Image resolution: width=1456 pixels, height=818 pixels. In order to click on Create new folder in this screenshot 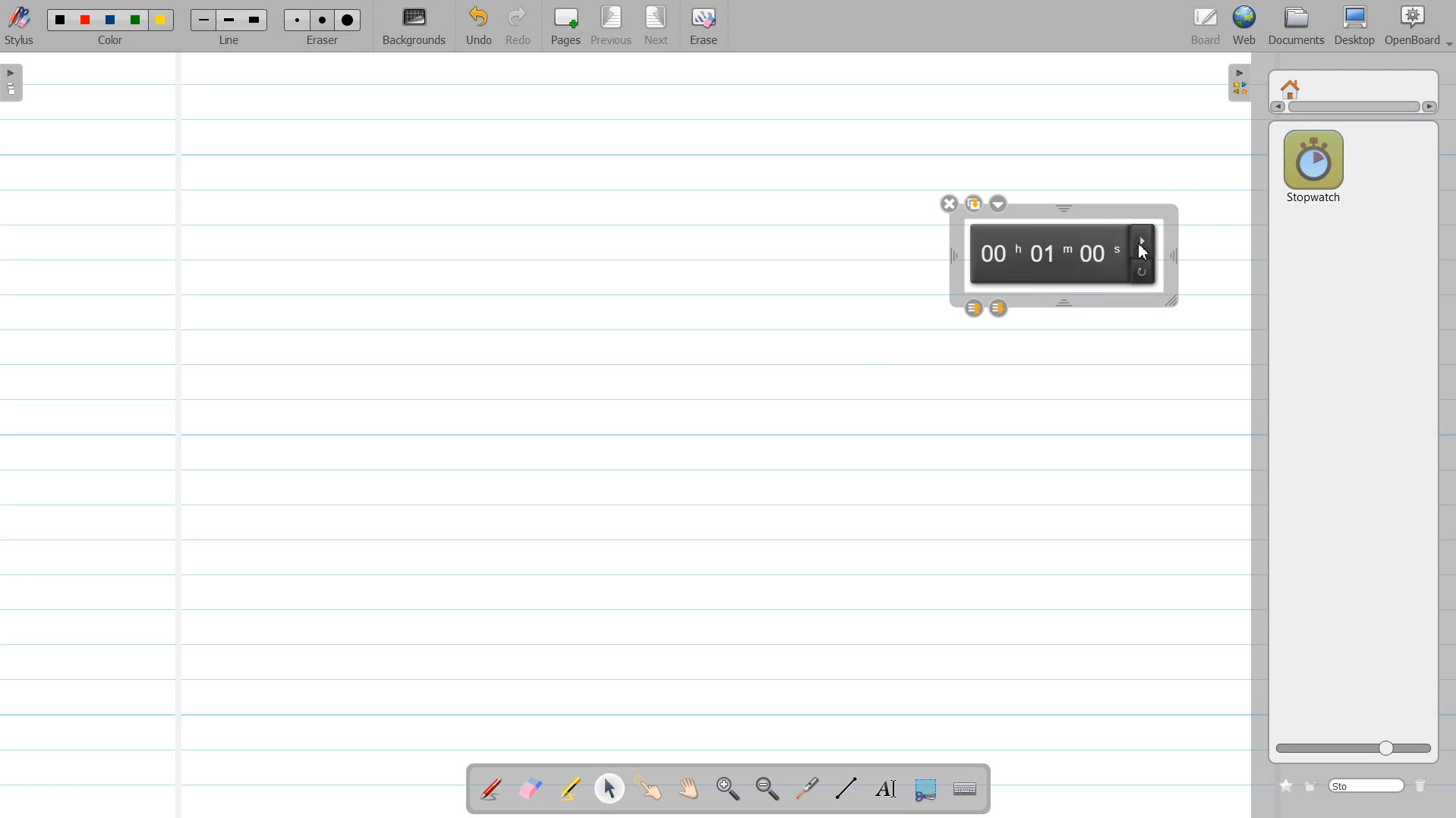, I will do `click(1312, 785)`.